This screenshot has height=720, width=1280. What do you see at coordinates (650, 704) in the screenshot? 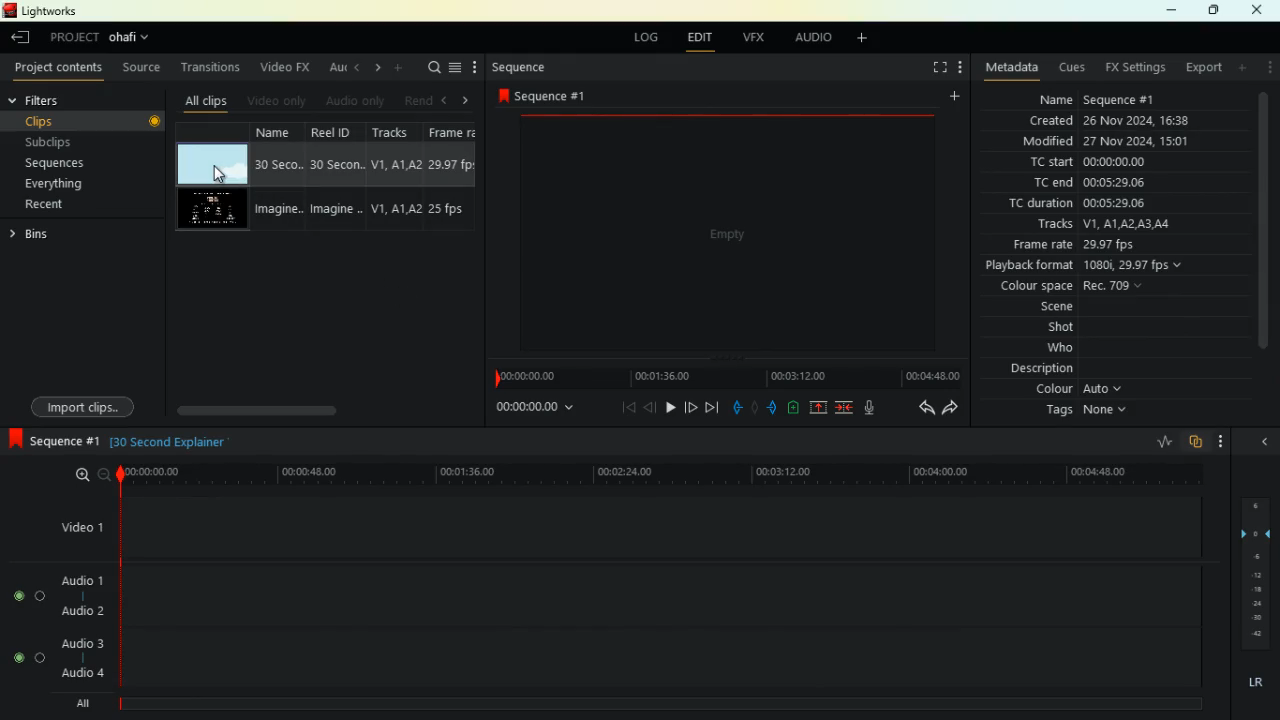
I see `timeline` at bounding box center [650, 704].